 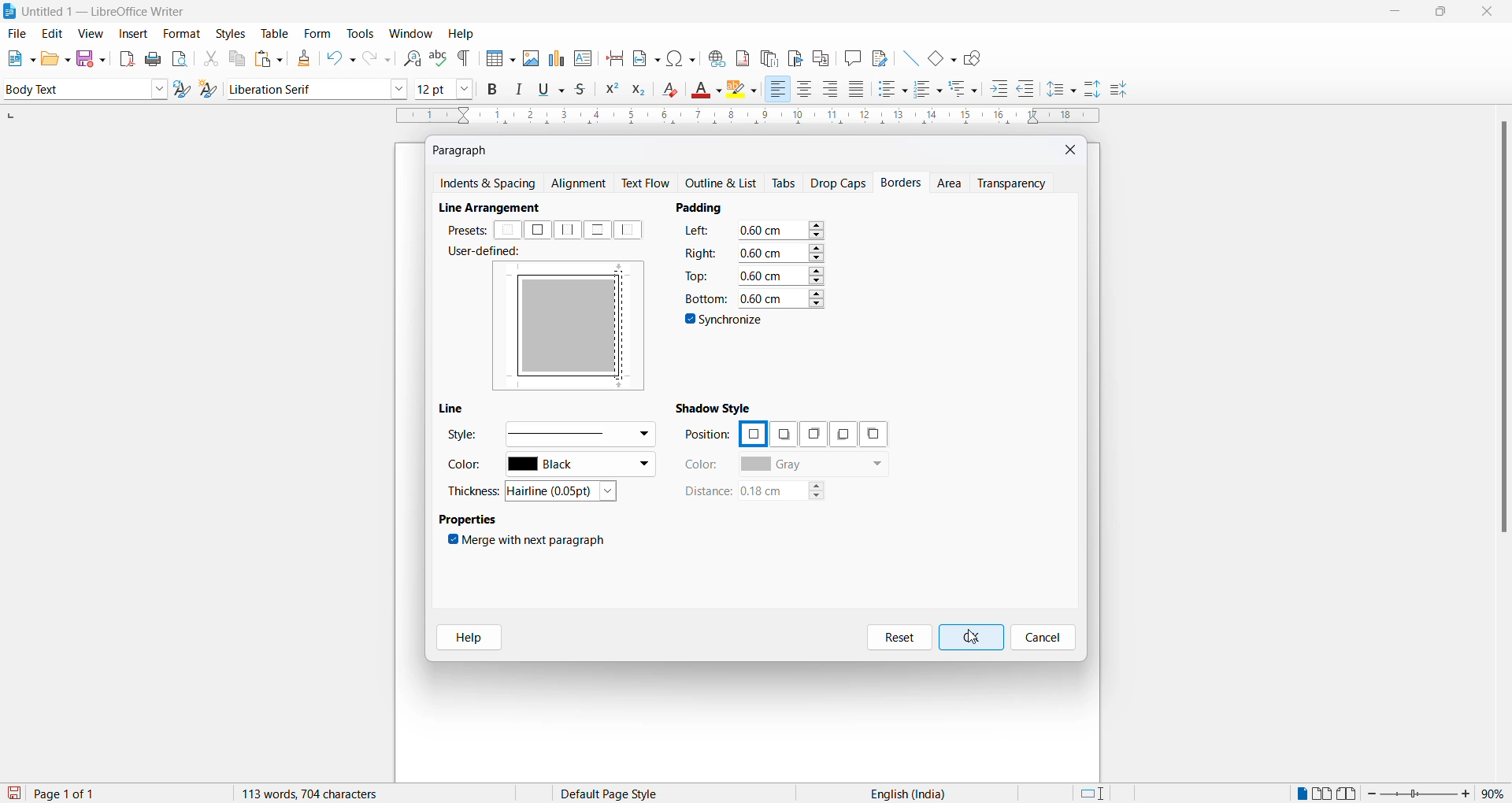 What do you see at coordinates (821, 57) in the screenshot?
I see `show track changes function` at bounding box center [821, 57].